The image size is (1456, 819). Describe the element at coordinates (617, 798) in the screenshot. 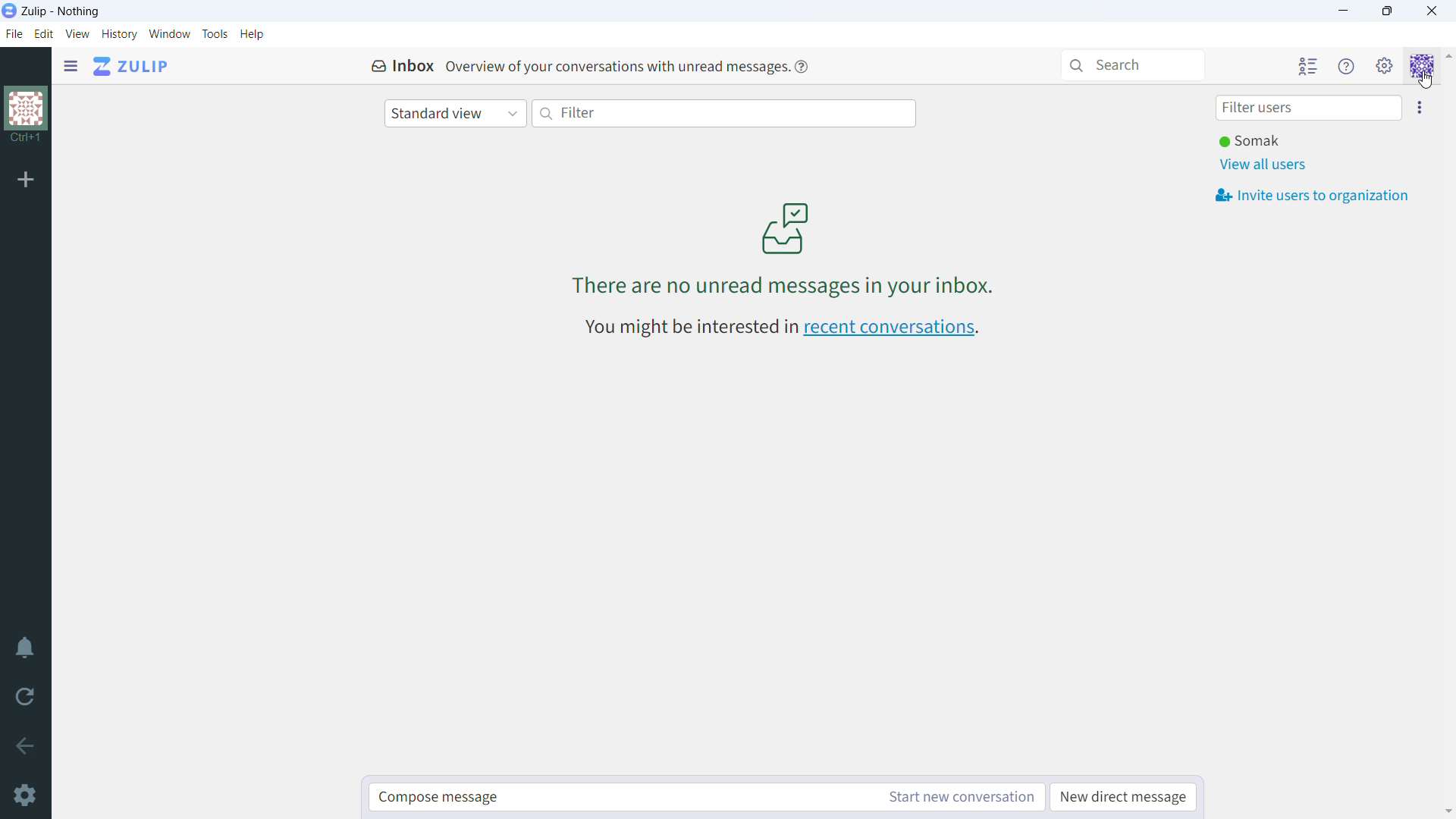

I see `compose message` at that location.